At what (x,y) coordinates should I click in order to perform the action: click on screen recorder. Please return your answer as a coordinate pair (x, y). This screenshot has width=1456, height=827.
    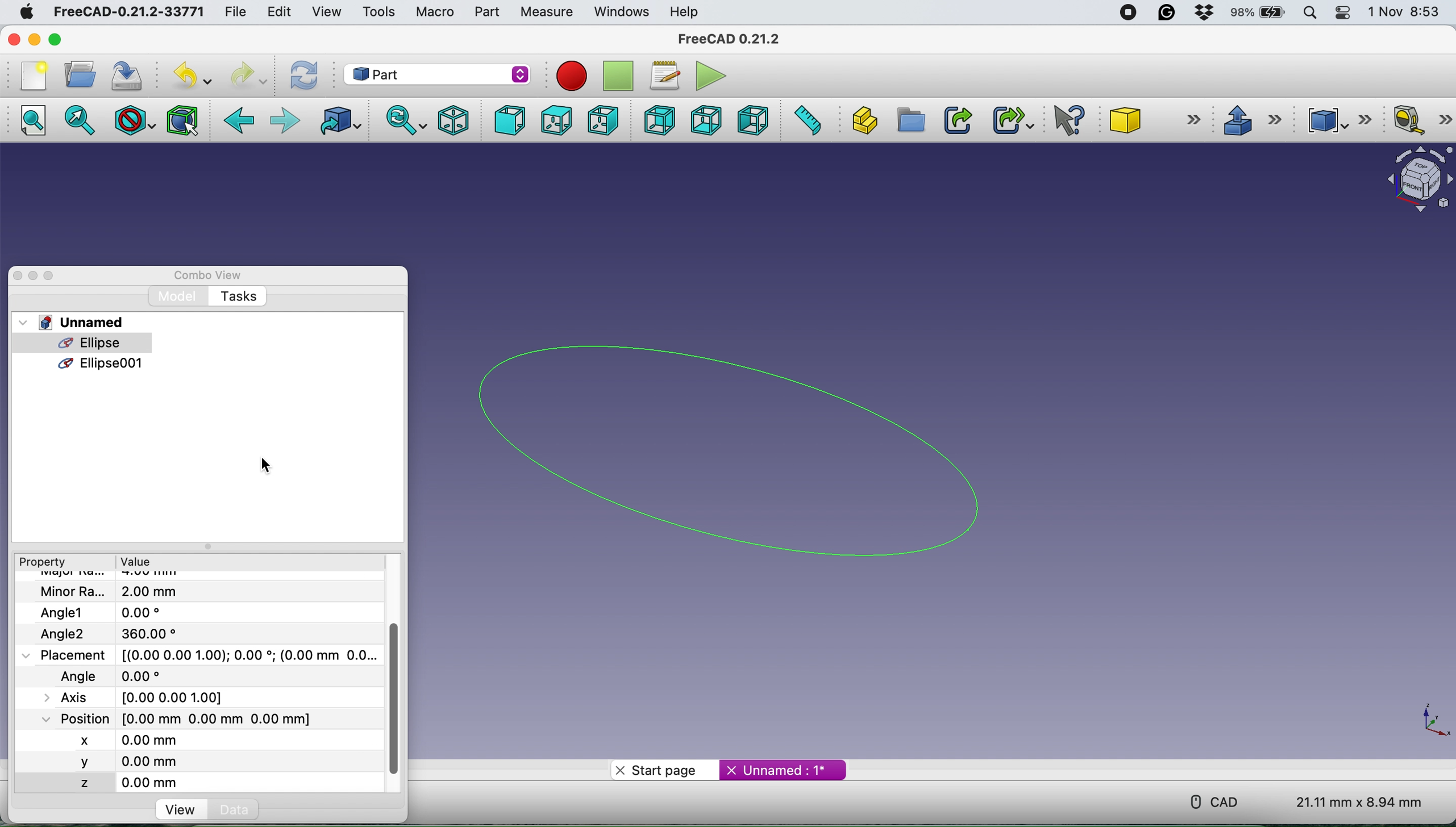
    Looking at the image, I should click on (1130, 12).